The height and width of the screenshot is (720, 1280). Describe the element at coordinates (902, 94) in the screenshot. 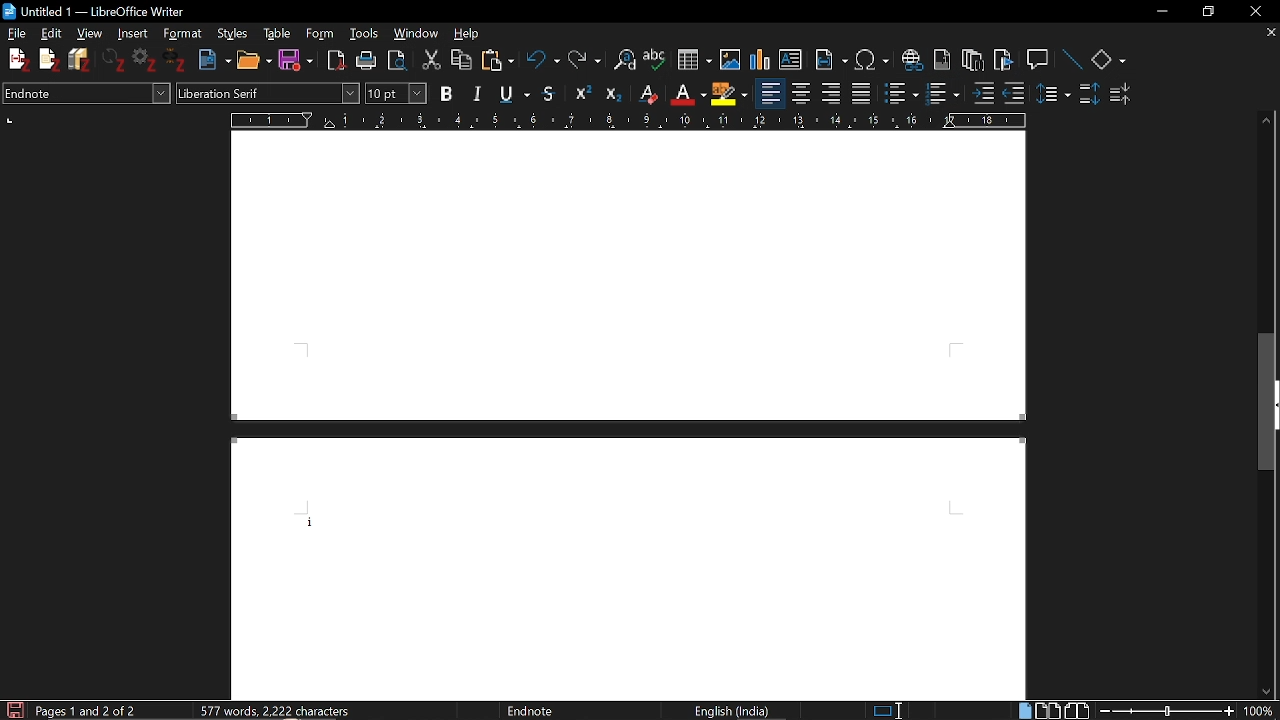

I see `Togle ordered list` at that location.